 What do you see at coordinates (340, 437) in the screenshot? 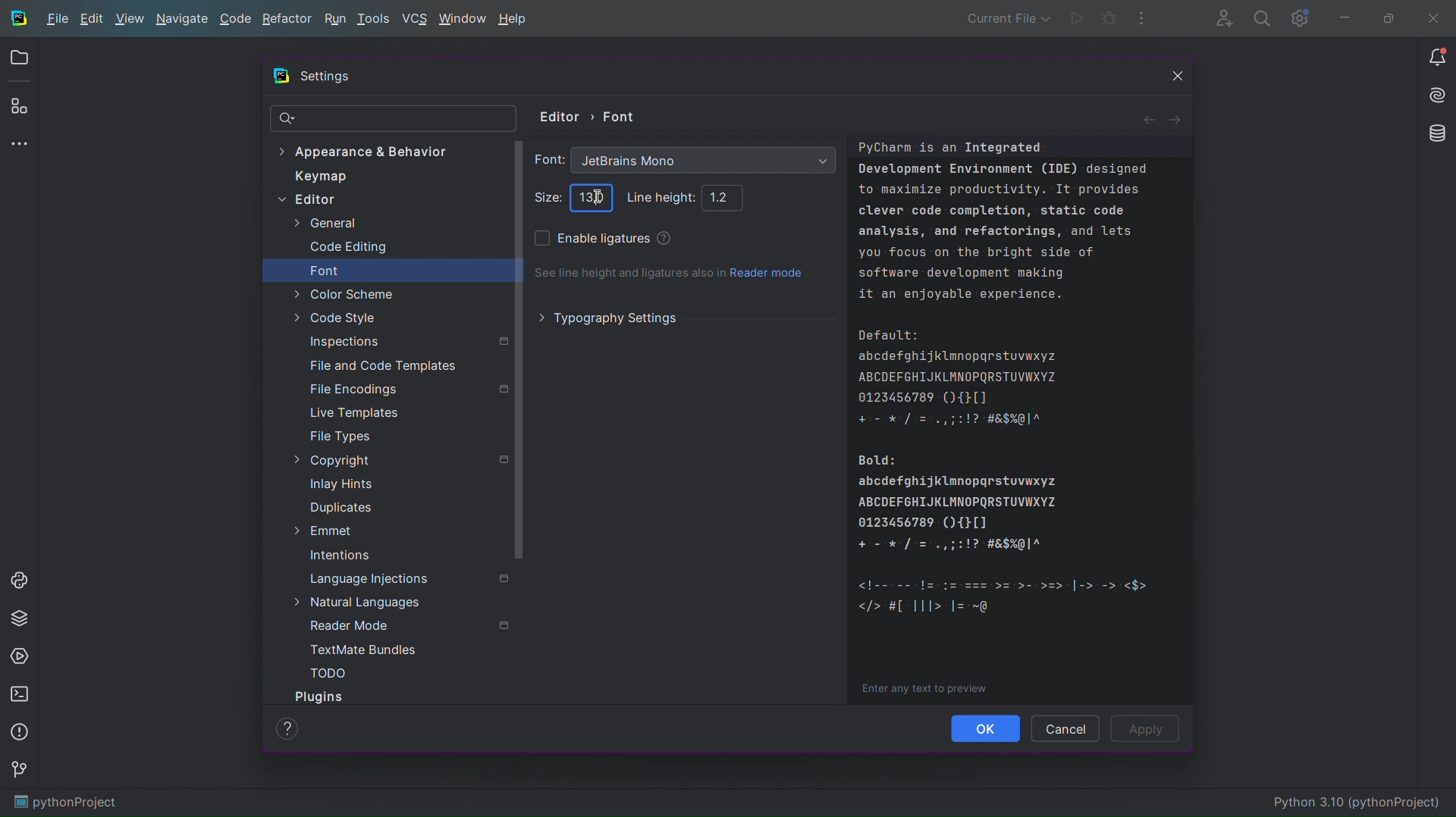
I see `File Types` at bounding box center [340, 437].